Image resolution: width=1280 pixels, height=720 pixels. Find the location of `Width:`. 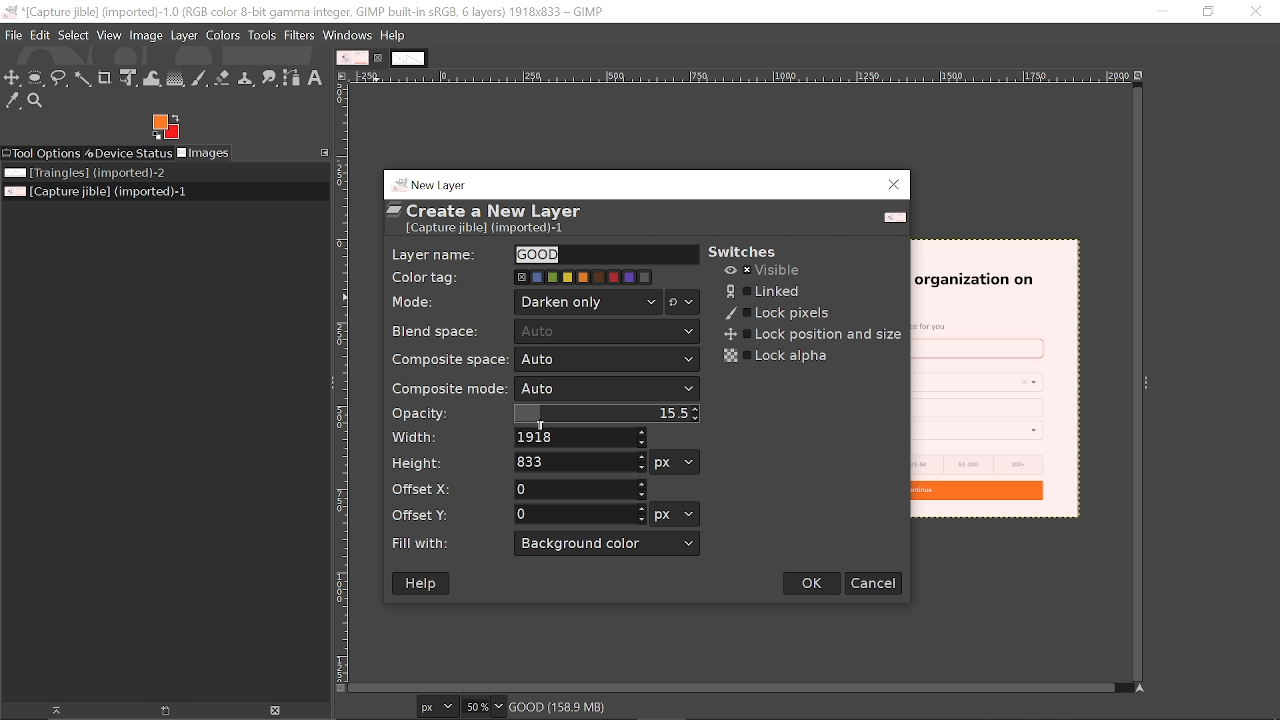

Width: is located at coordinates (416, 437).